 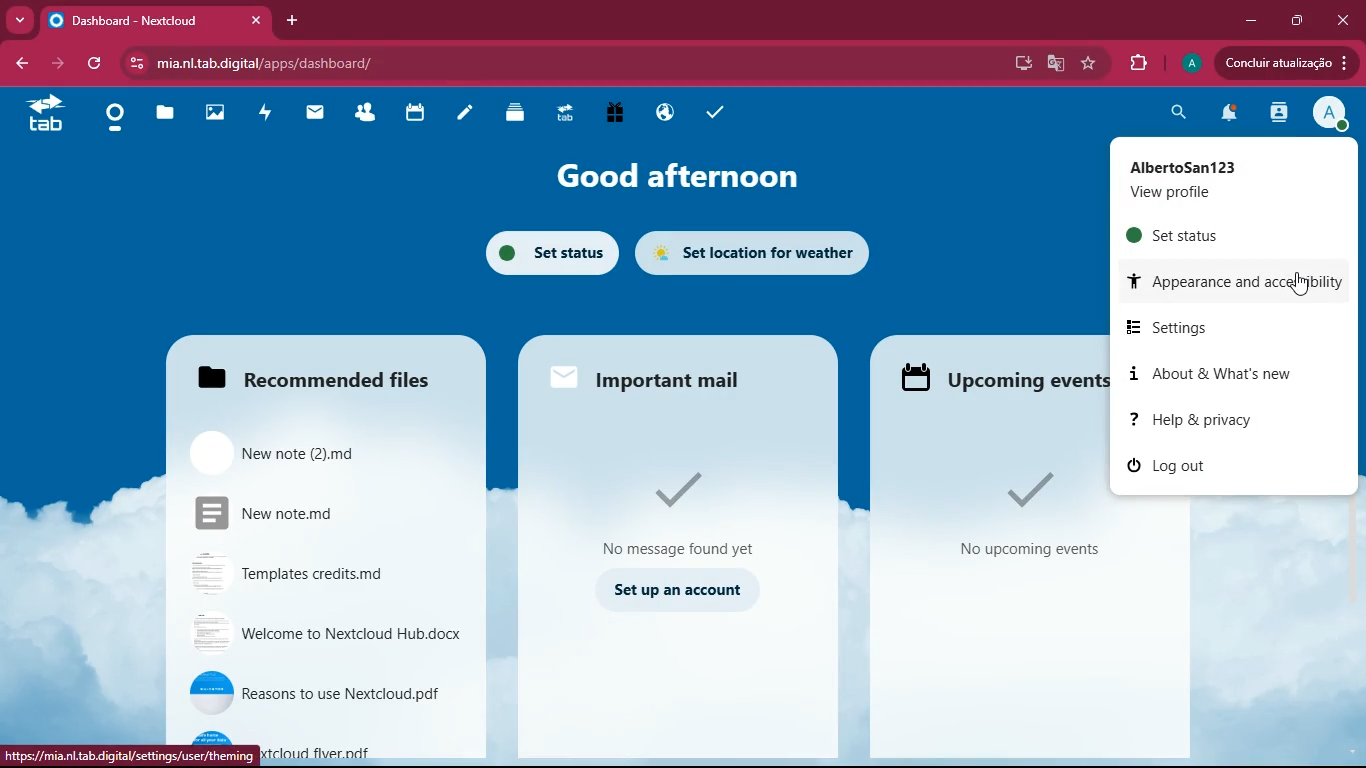 I want to click on more, so click(x=20, y=19).